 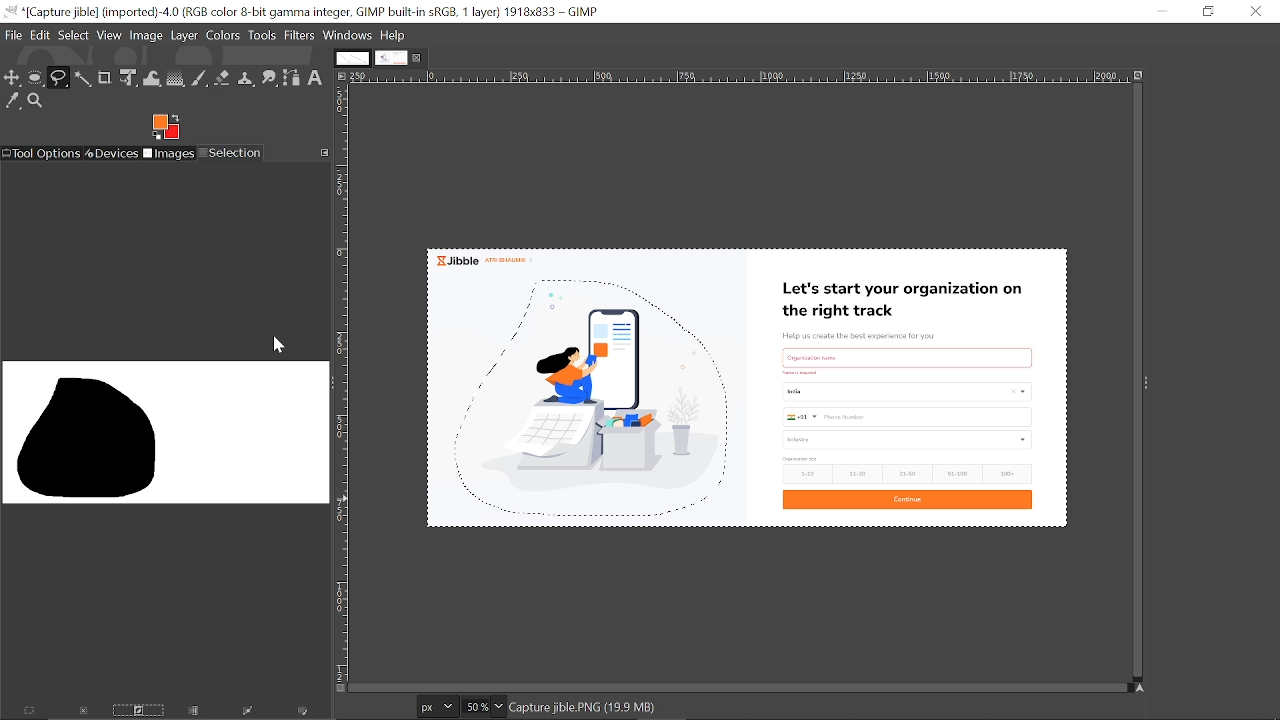 What do you see at coordinates (293, 80) in the screenshot?
I see `Path tool` at bounding box center [293, 80].